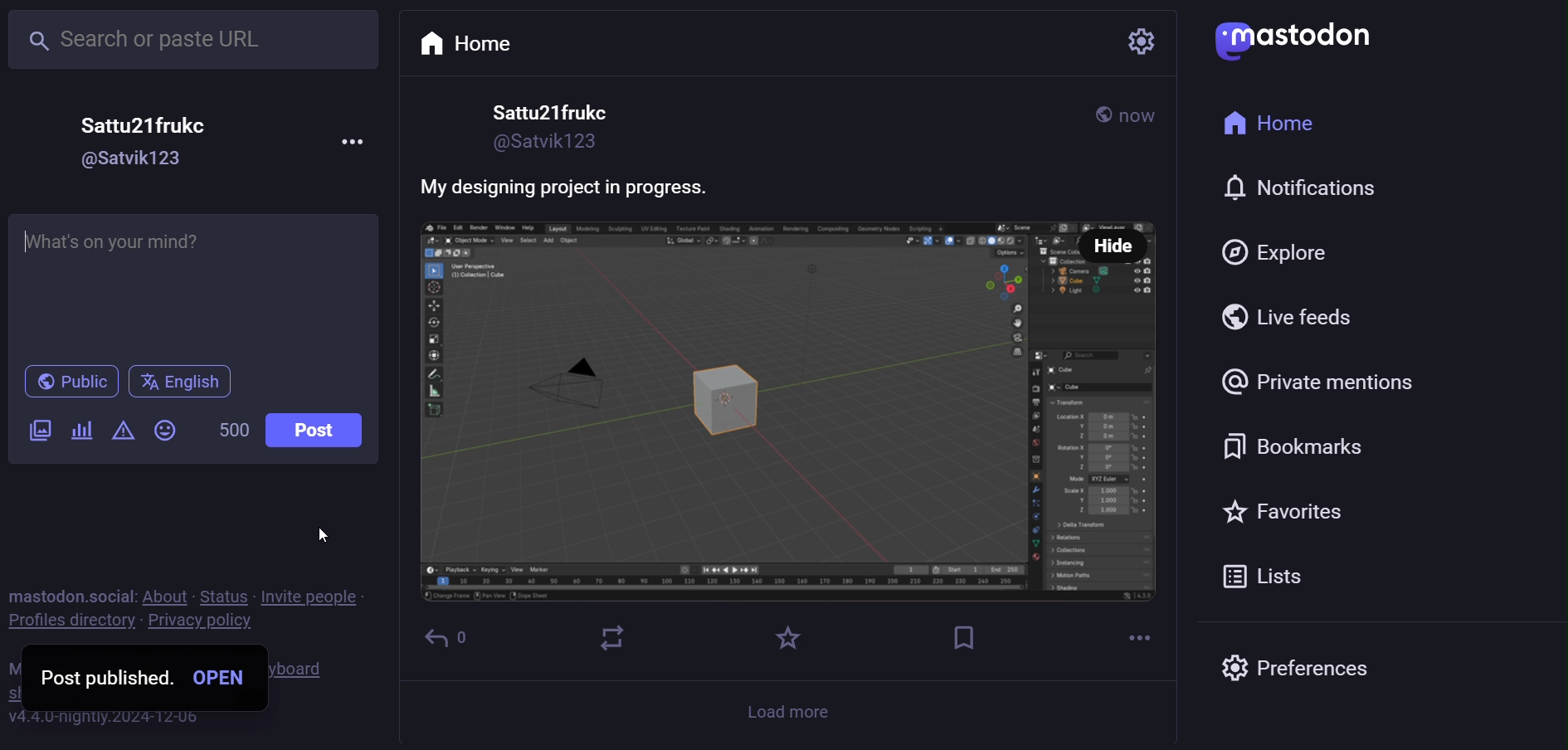 Image resolution: width=1568 pixels, height=750 pixels. Describe the element at coordinates (547, 110) in the screenshot. I see `name` at that location.